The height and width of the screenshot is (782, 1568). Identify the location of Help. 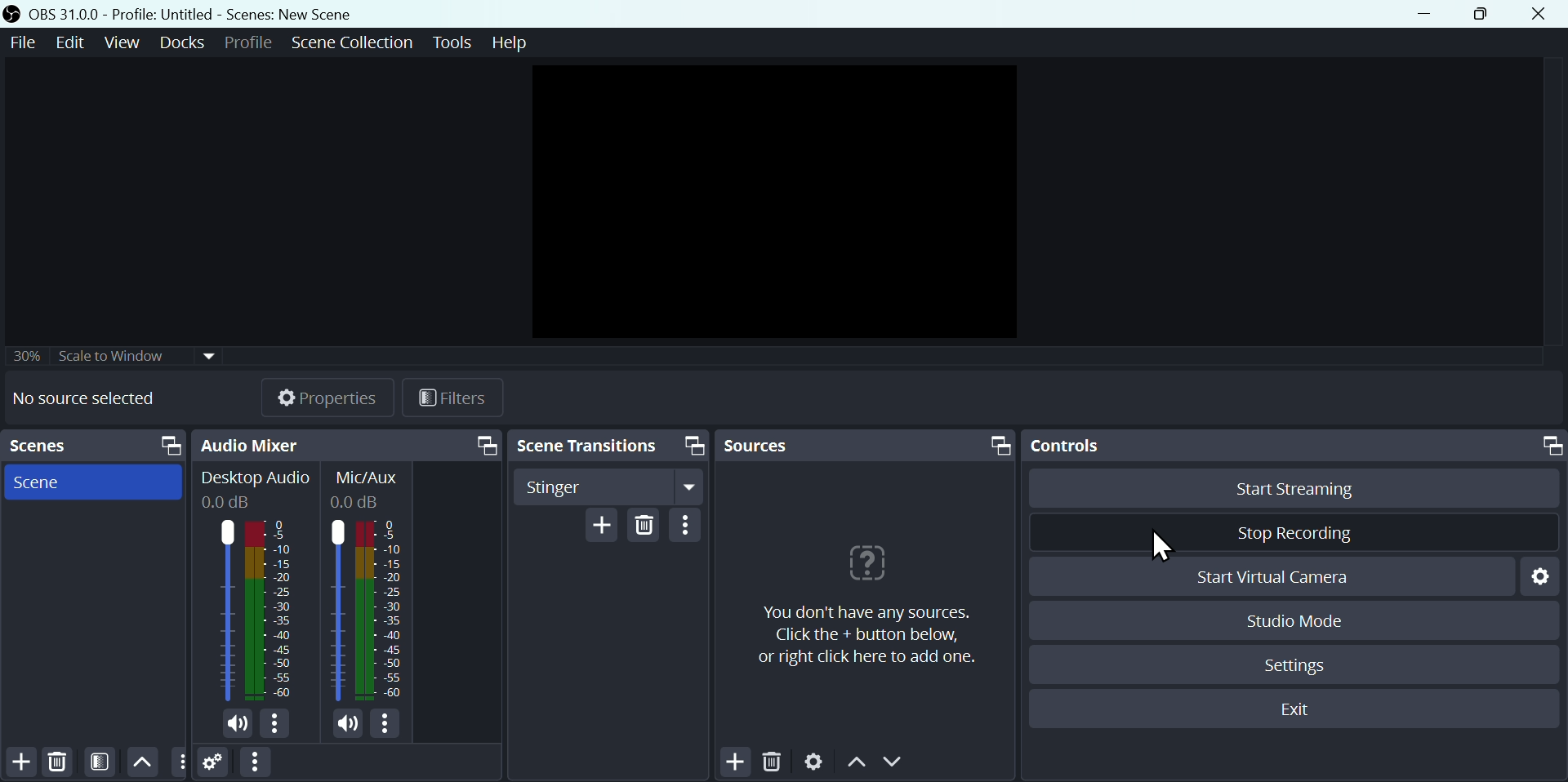
(506, 47).